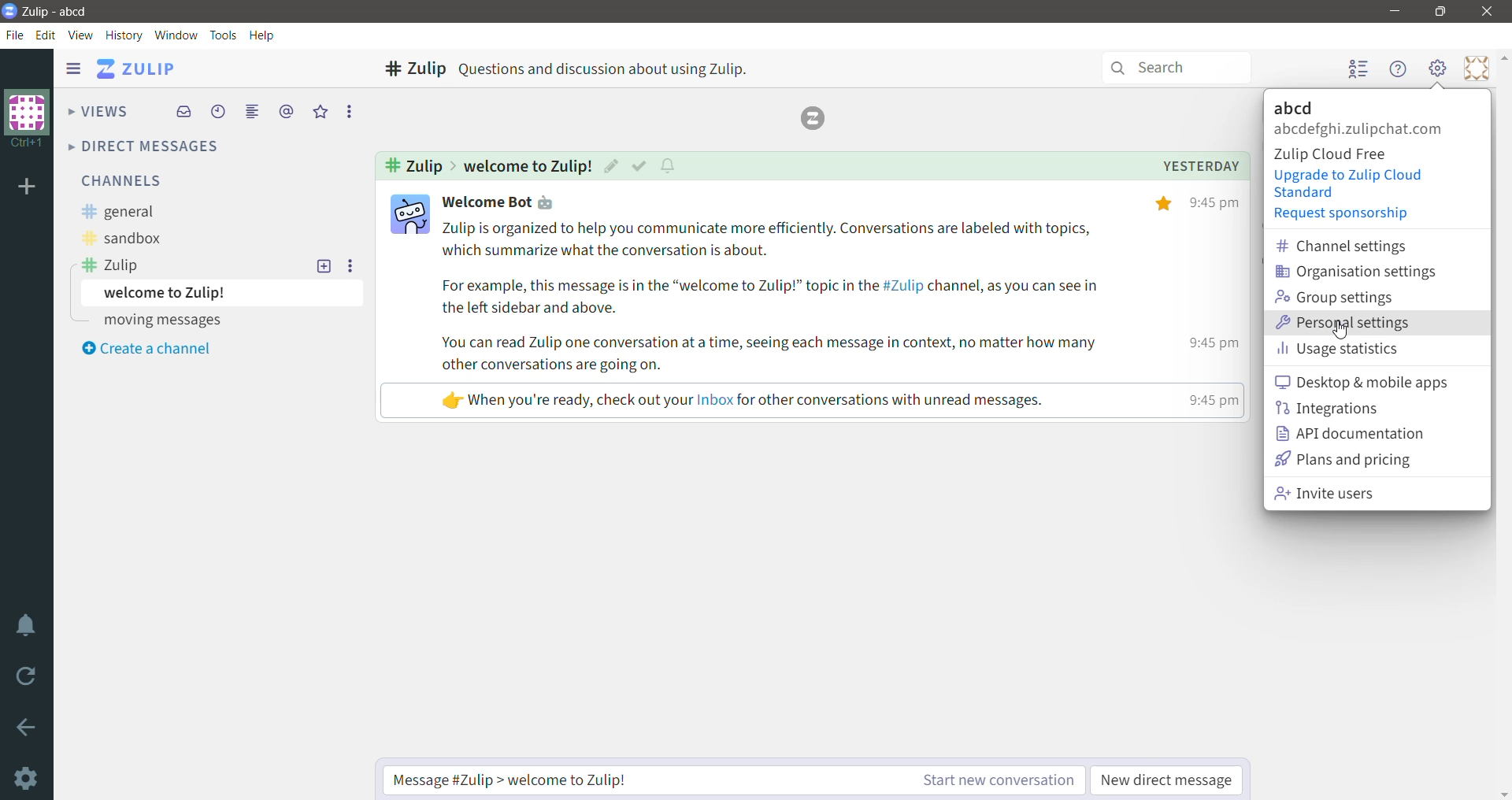 Image resolution: width=1512 pixels, height=800 pixels. I want to click on View, so click(81, 35).